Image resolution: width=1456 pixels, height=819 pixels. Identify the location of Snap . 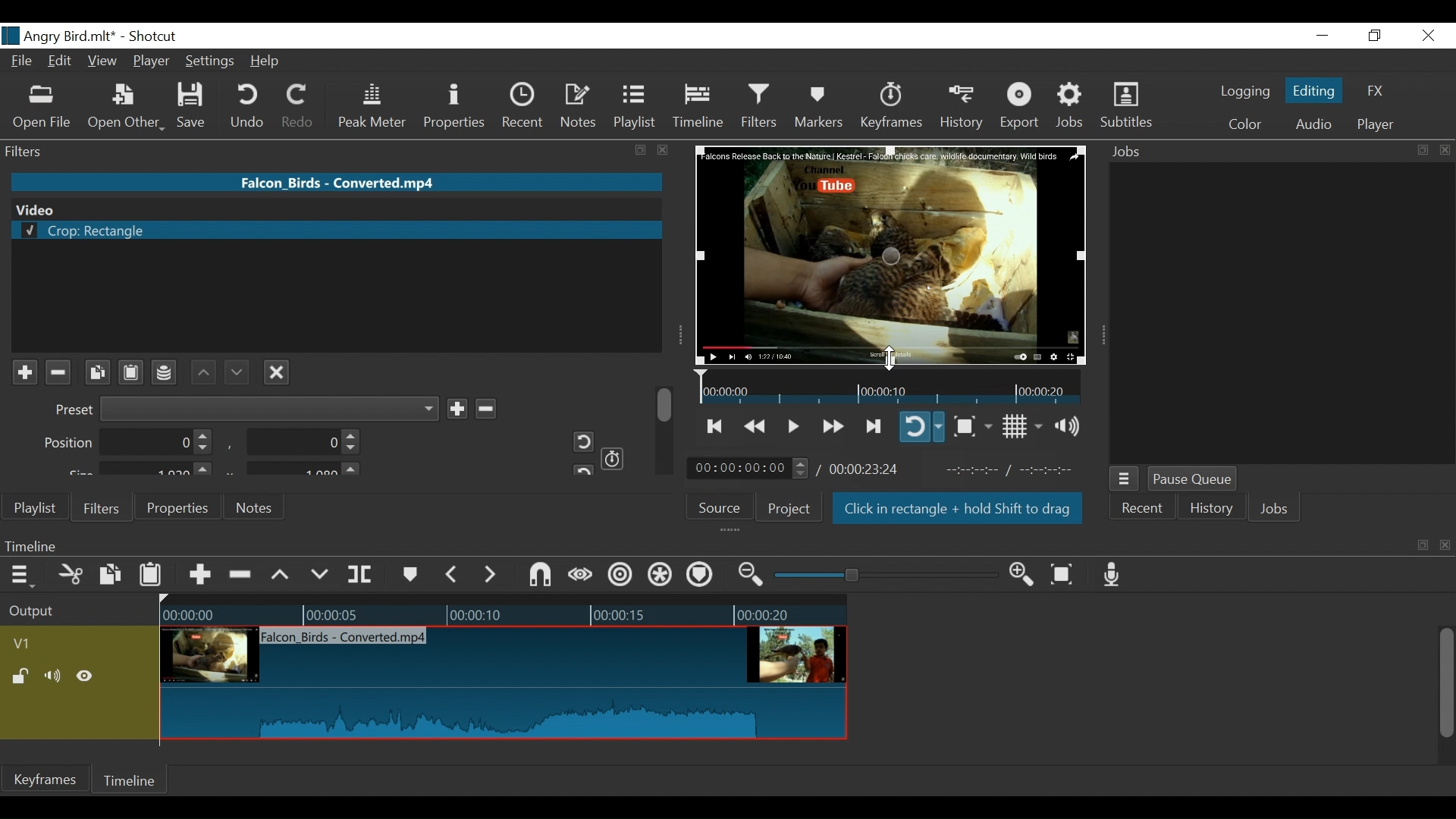
(540, 576).